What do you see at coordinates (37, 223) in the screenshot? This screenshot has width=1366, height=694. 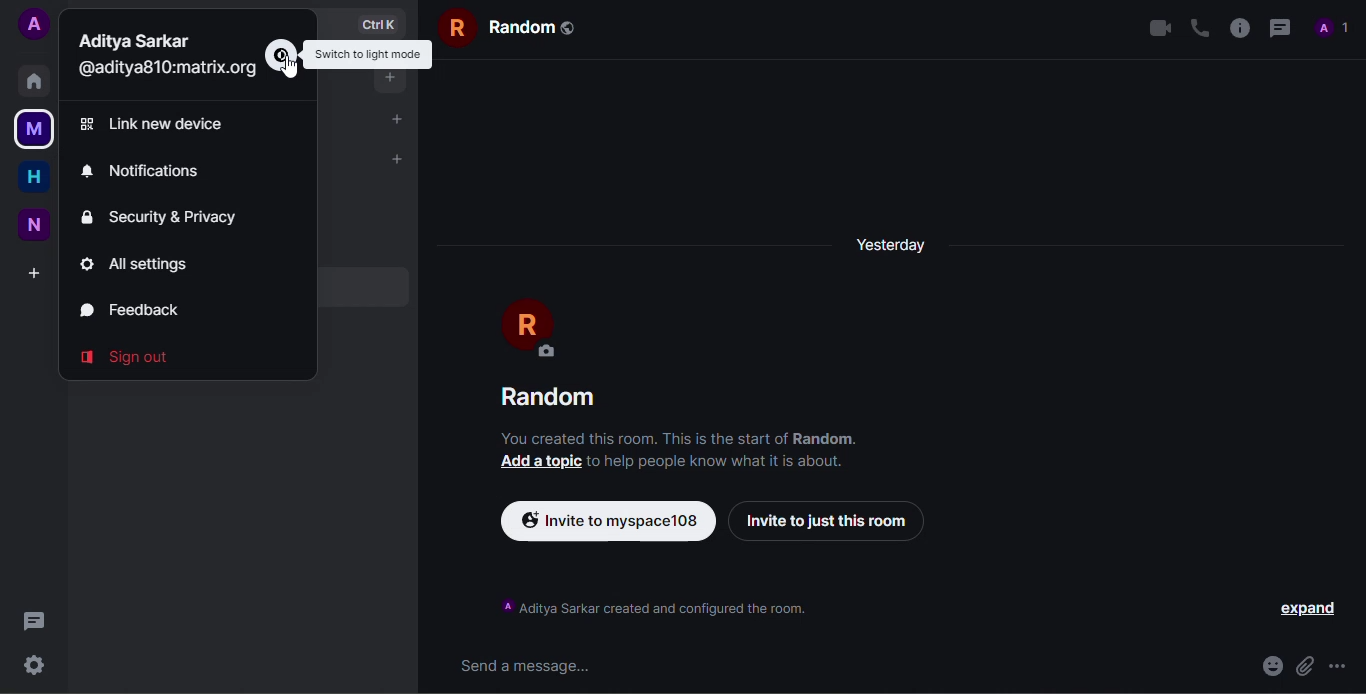 I see `new` at bounding box center [37, 223].